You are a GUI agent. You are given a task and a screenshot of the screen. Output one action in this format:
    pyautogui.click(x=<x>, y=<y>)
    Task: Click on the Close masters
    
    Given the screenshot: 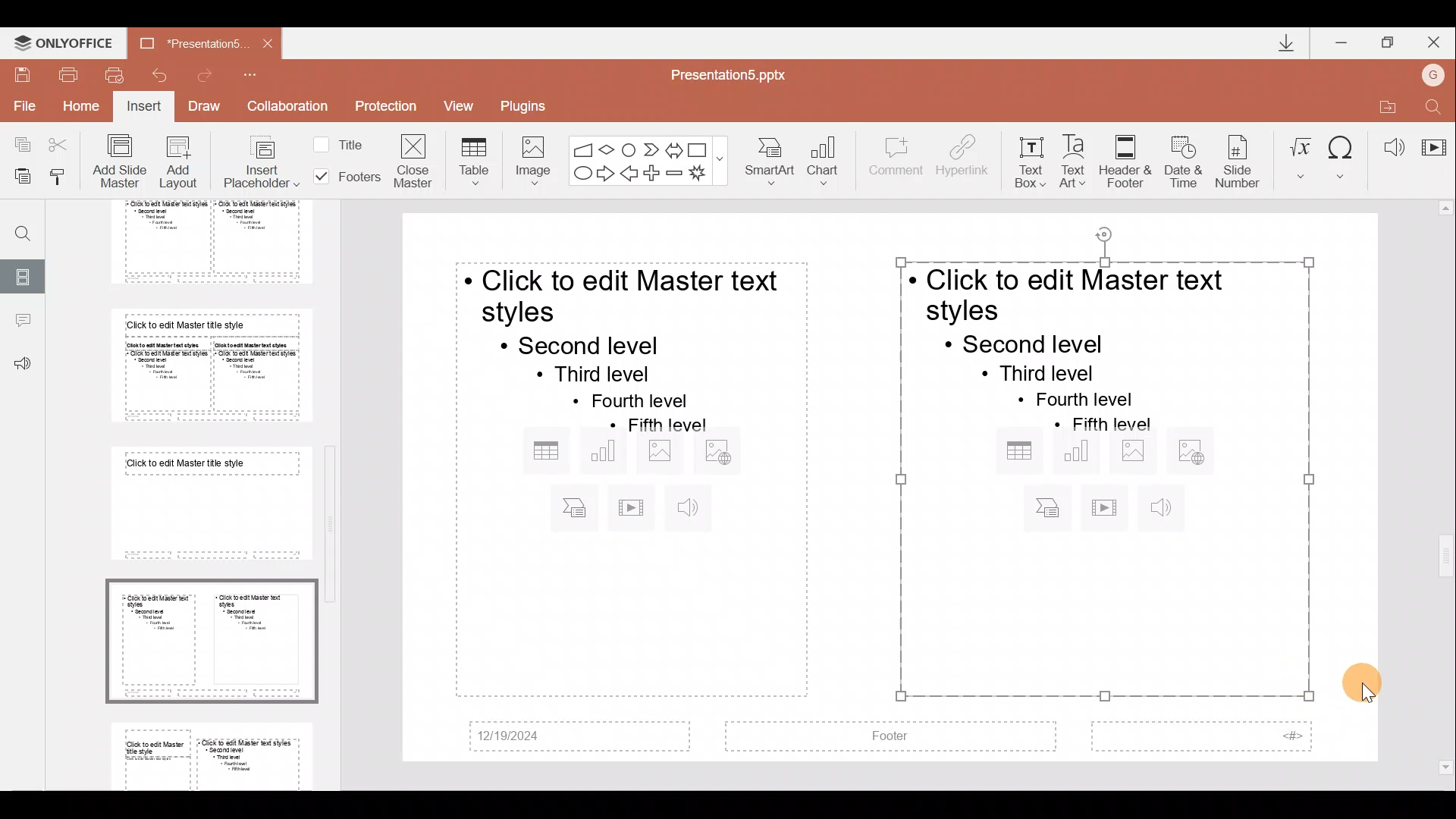 What is the action you would take?
    pyautogui.click(x=415, y=160)
    